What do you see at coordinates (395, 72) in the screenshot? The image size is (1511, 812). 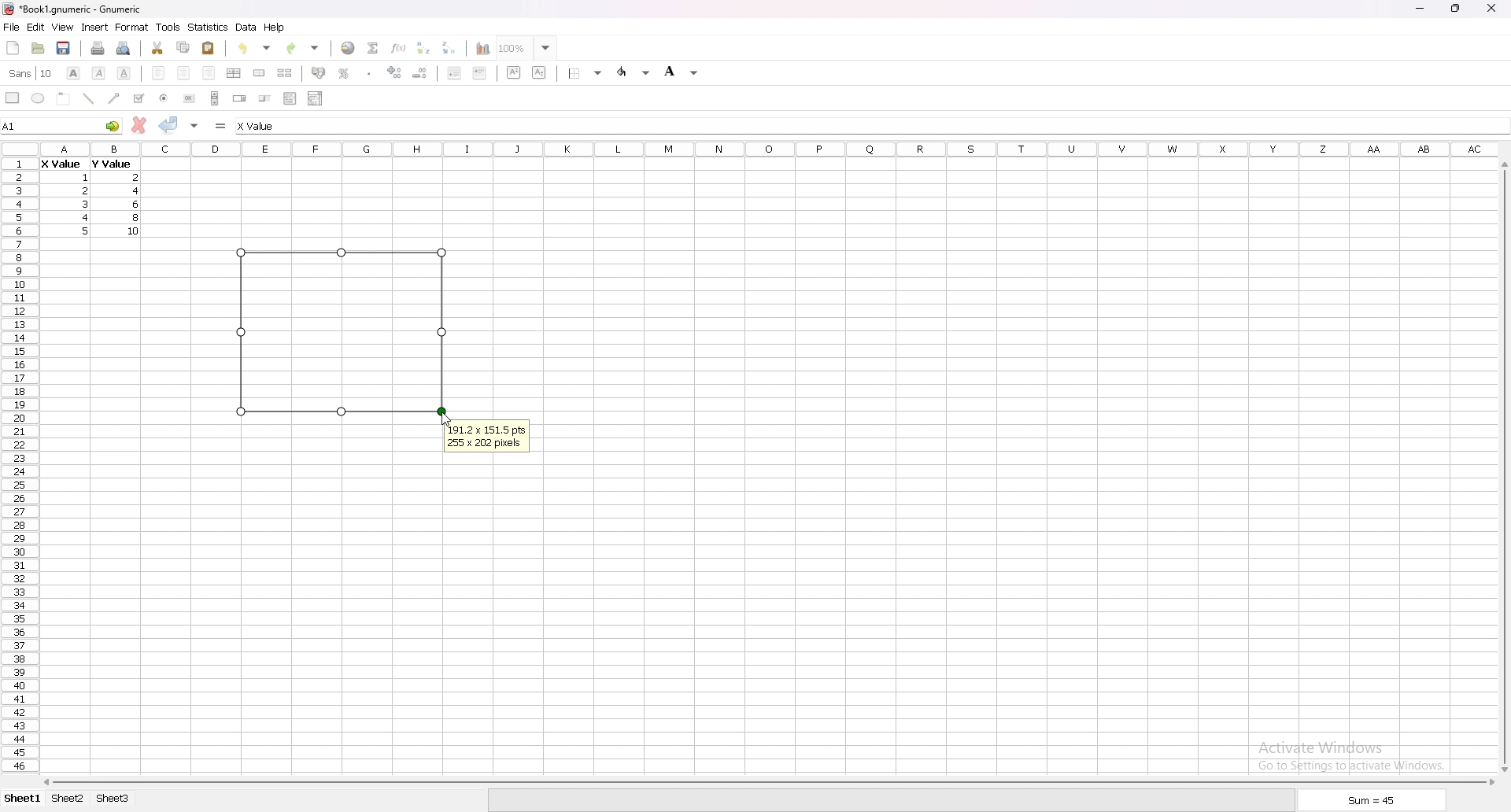 I see `increase decimals` at bounding box center [395, 72].